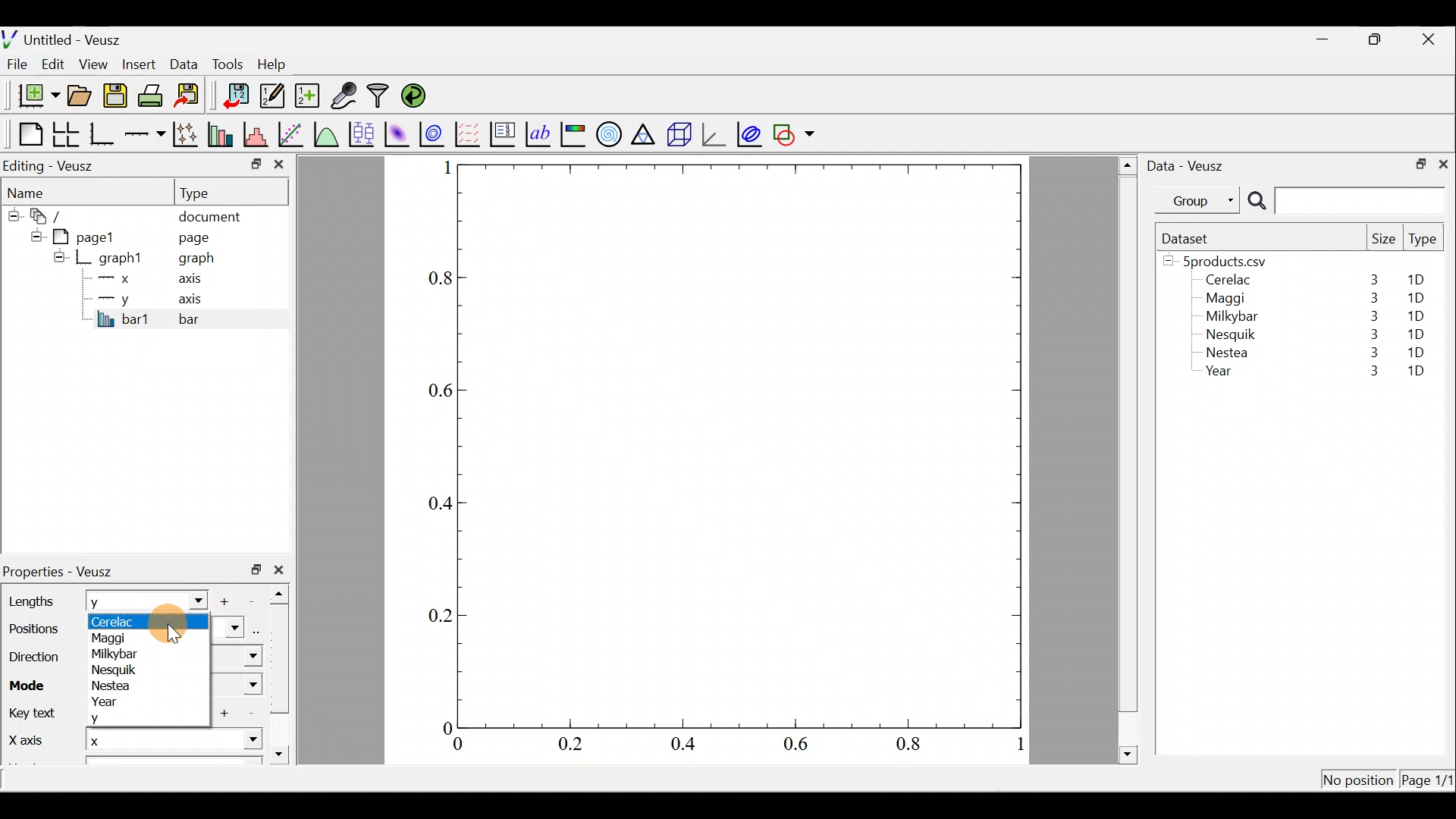  What do you see at coordinates (32, 631) in the screenshot?
I see `Positions` at bounding box center [32, 631].